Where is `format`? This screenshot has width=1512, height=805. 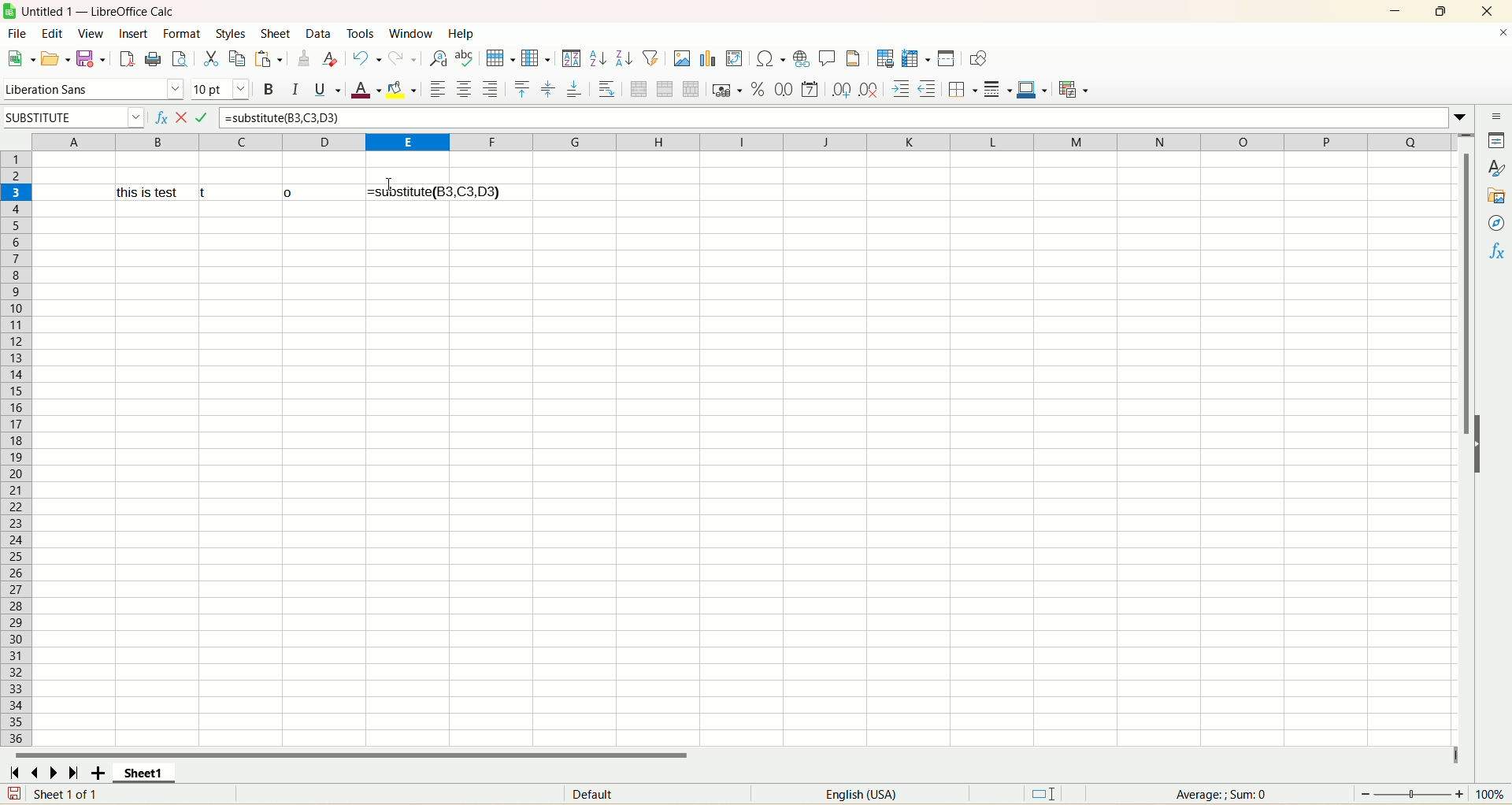
format is located at coordinates (181, 35).